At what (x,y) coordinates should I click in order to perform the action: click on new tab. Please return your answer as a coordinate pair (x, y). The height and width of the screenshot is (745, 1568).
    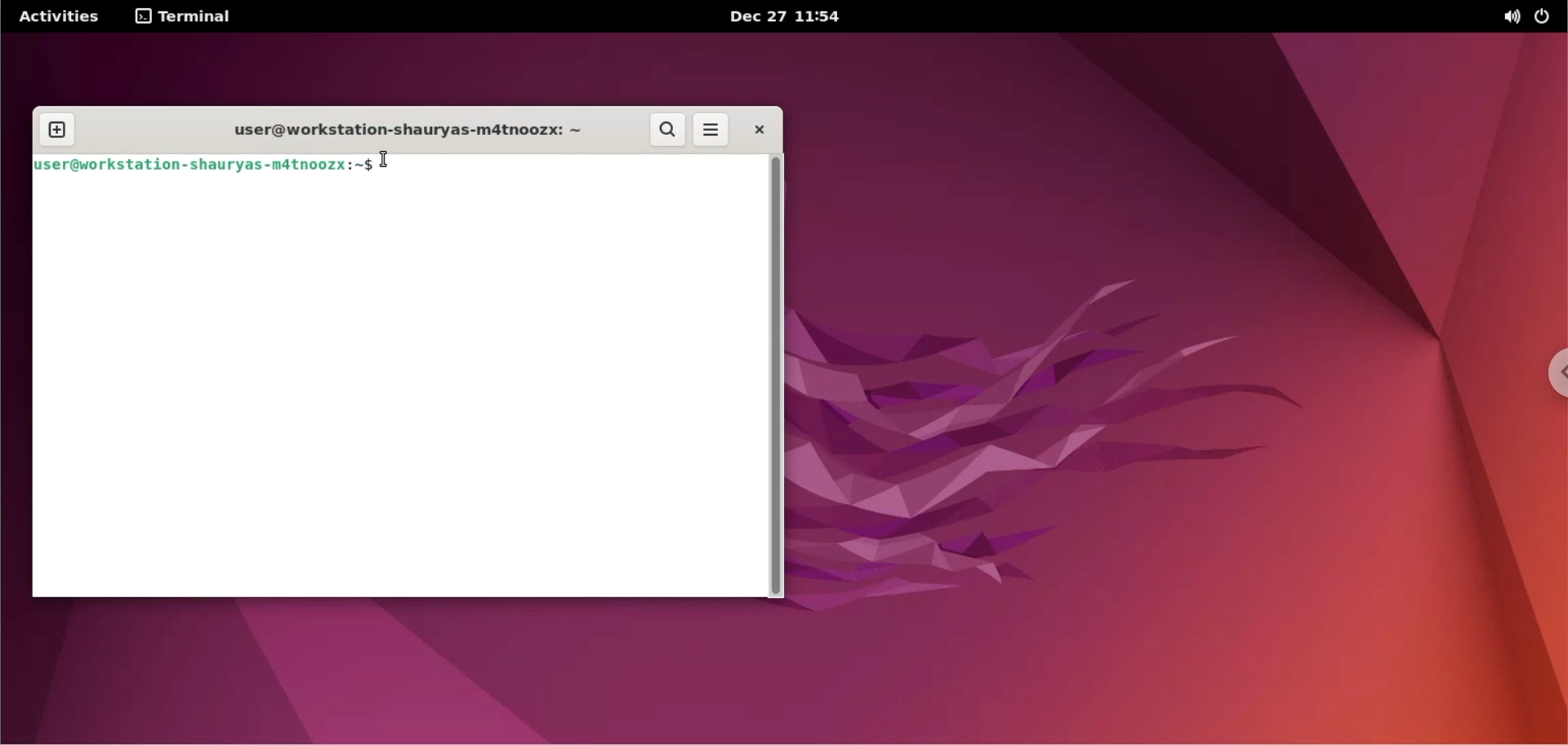
    Looking at the image, I should click on (56, 129).